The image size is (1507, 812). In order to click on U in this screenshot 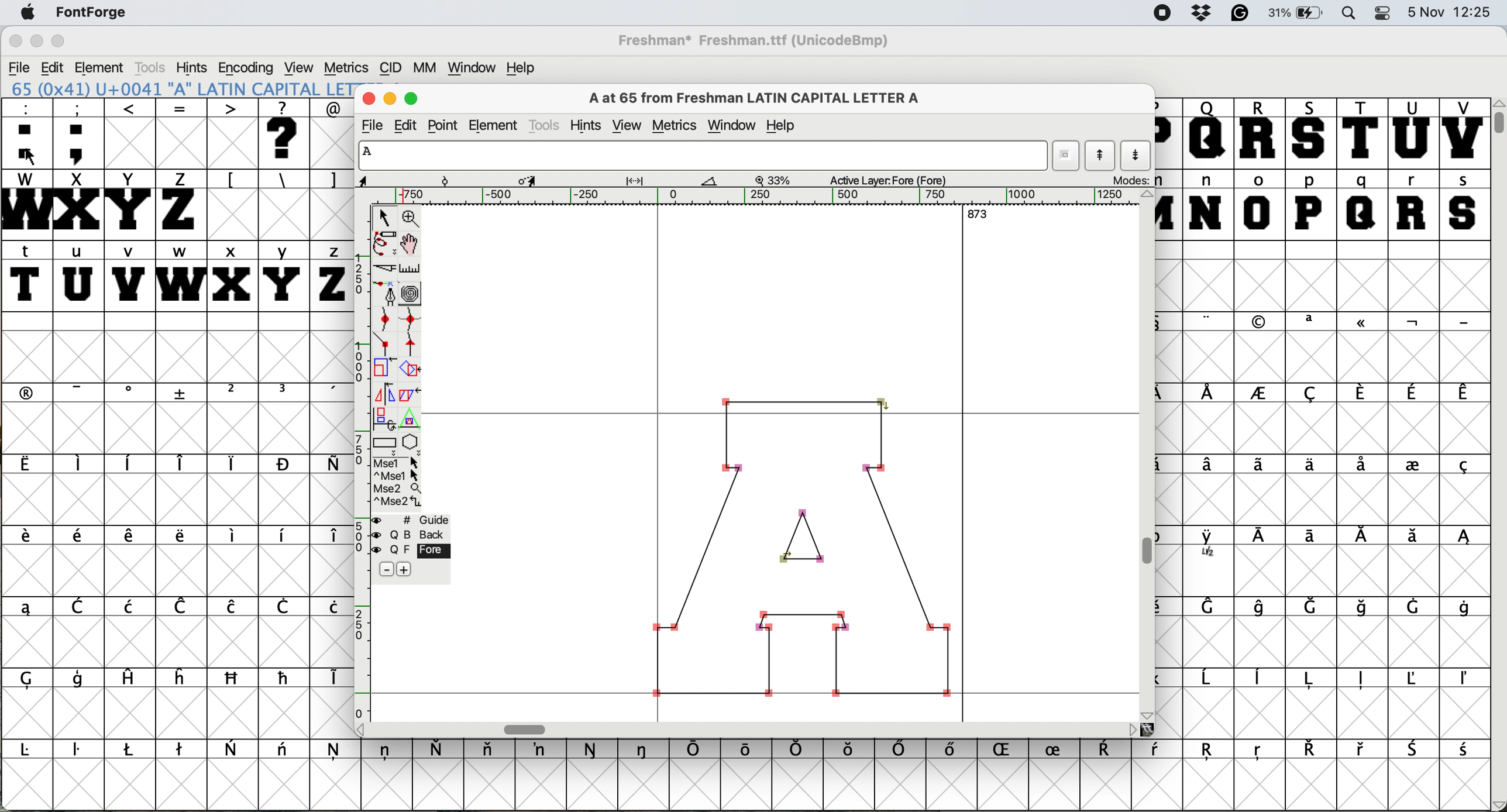, I will do `click(1412, 133)`.